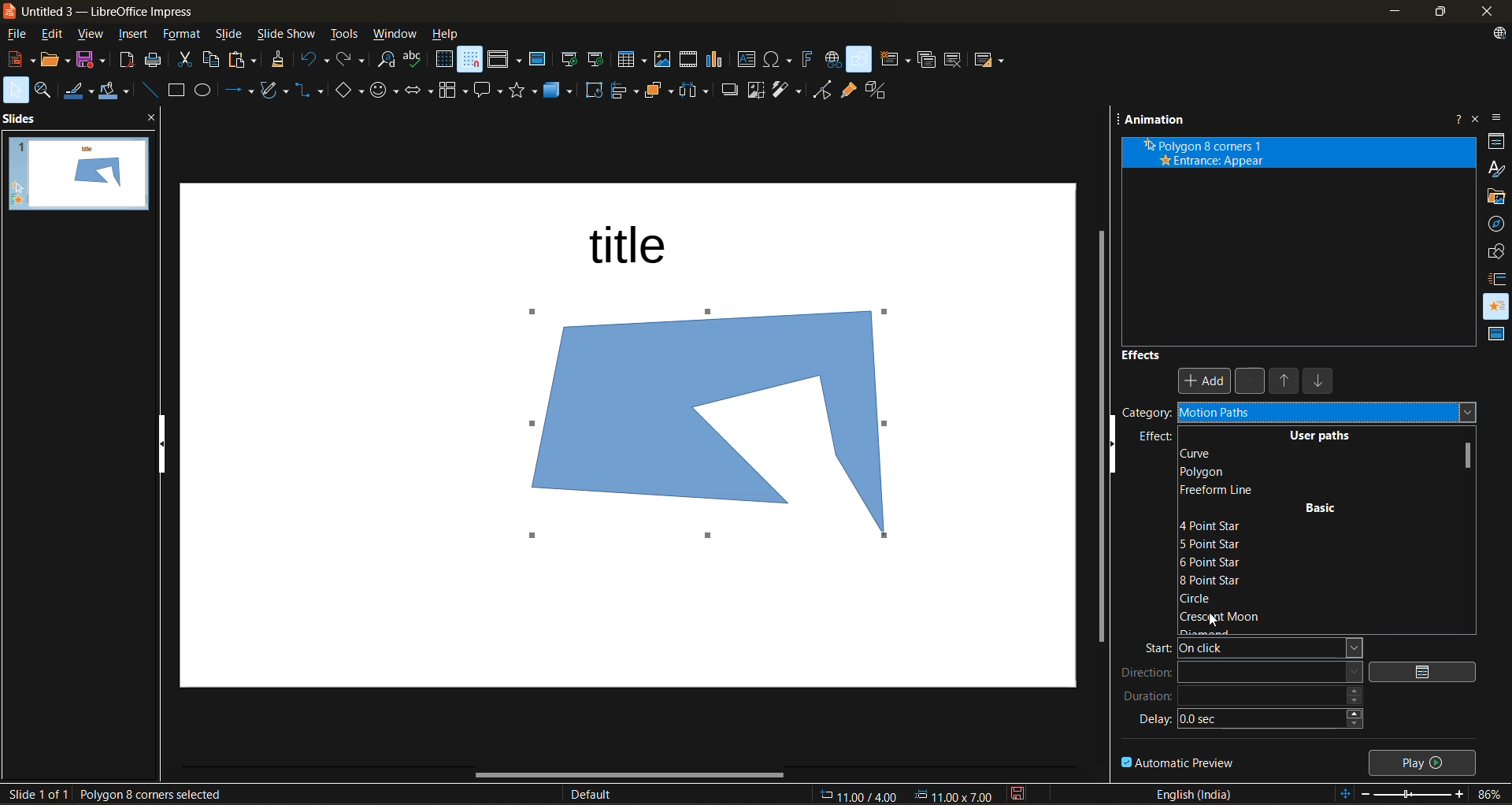 This screenshot has width=1512, height=805. I want to click on insert audio or video, so click(690, 60).